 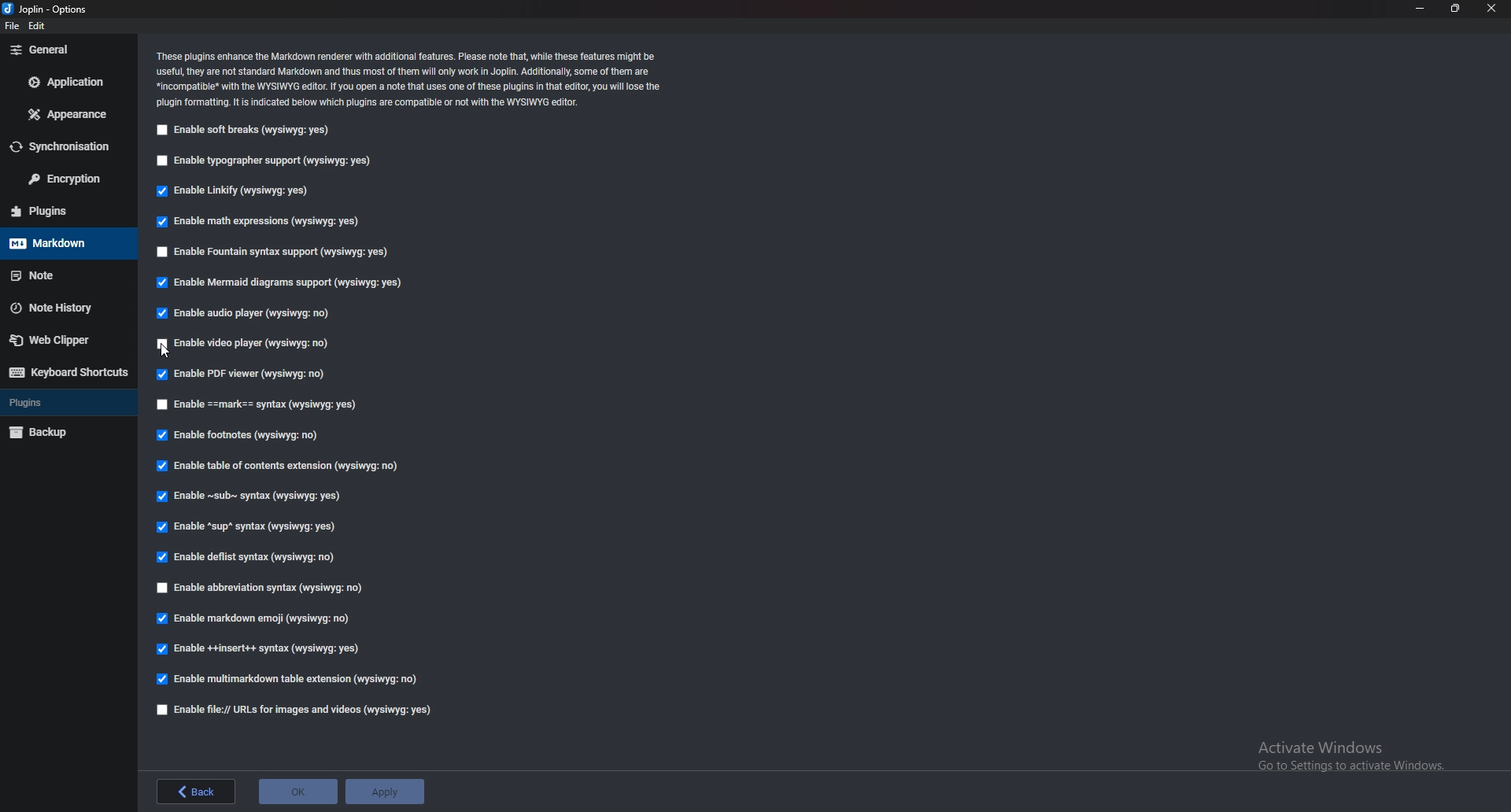 I want to click on Enable multimarkdown table extension, so click(x=288, y=679).